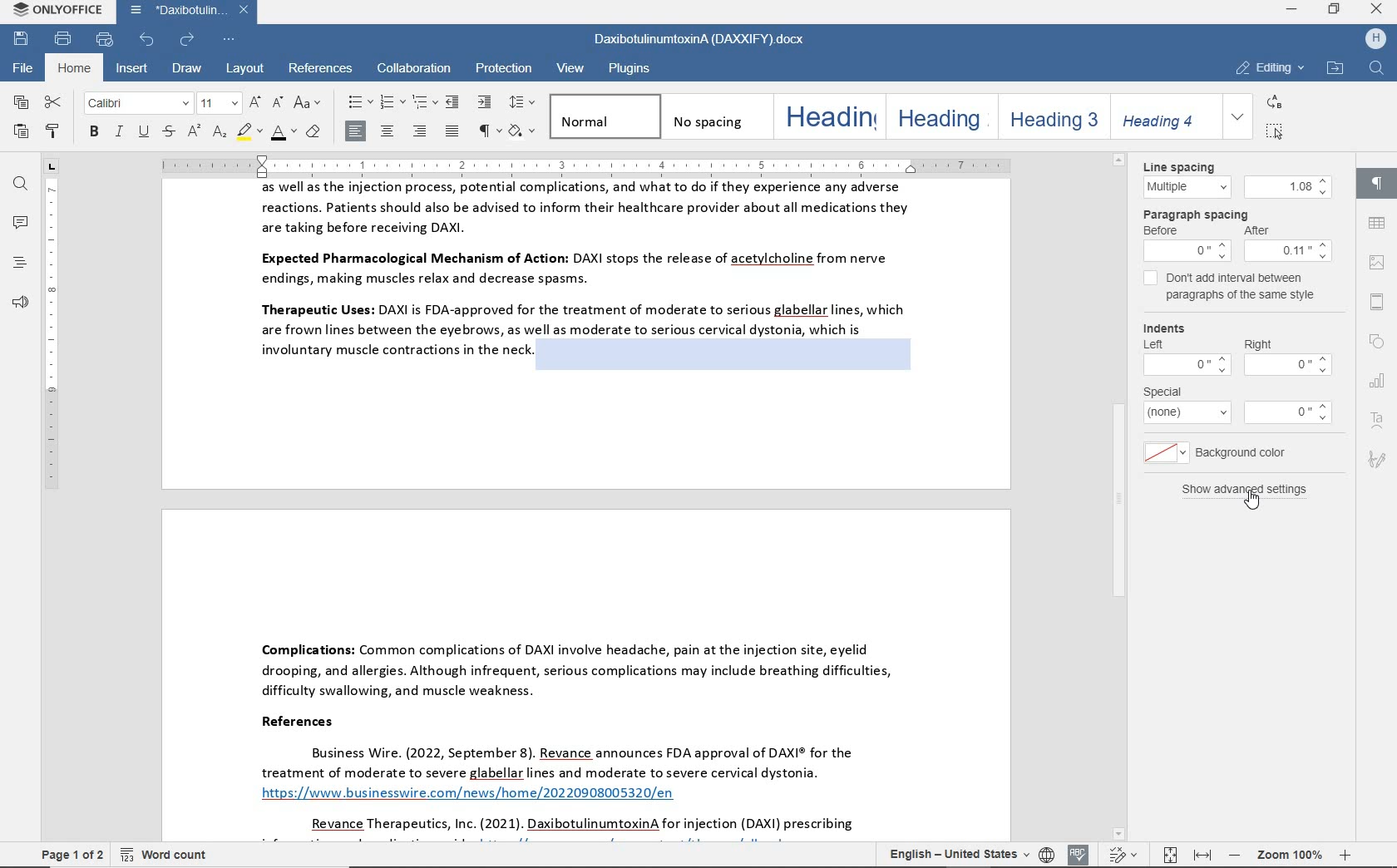 This screenshot has width=1397, height=868. What do you see at coordinates (283, 135) in the screenshot?
I see `font color` at bounding box center [283, 135].